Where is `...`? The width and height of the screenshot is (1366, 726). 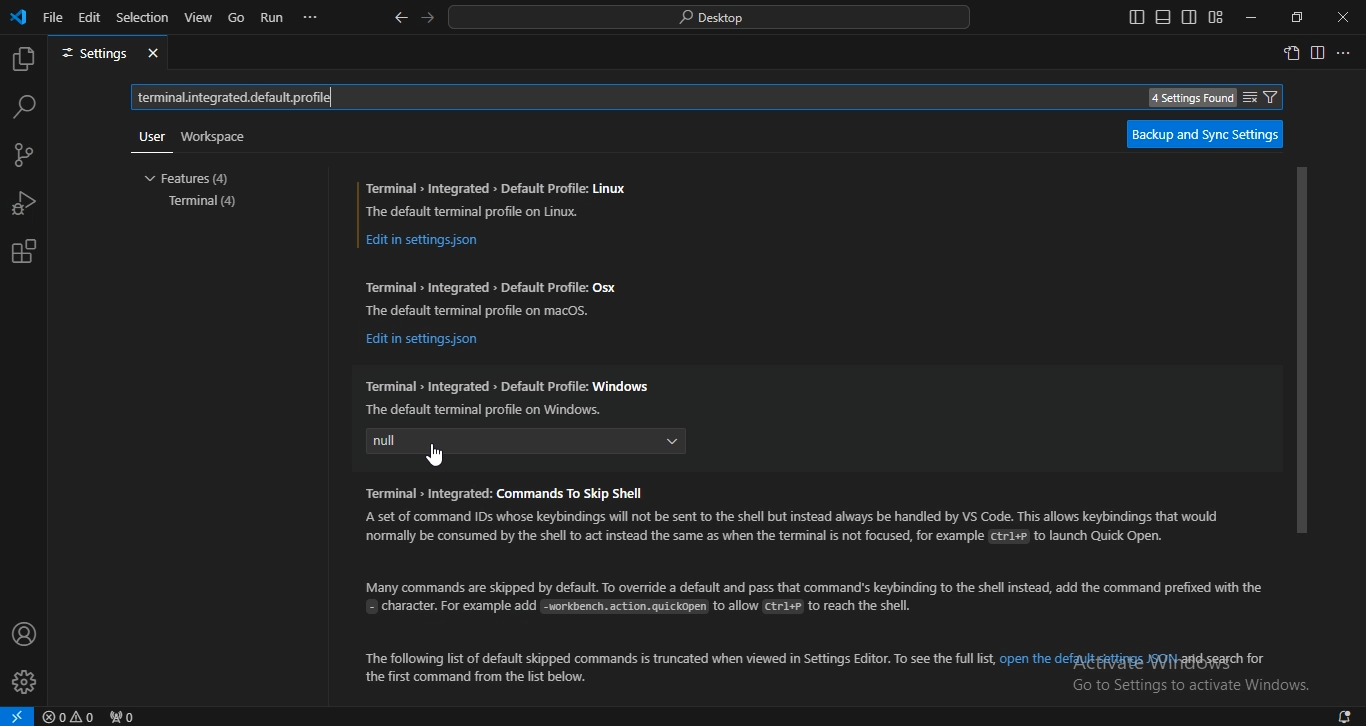 ... is located at coordinates (1341, 51).